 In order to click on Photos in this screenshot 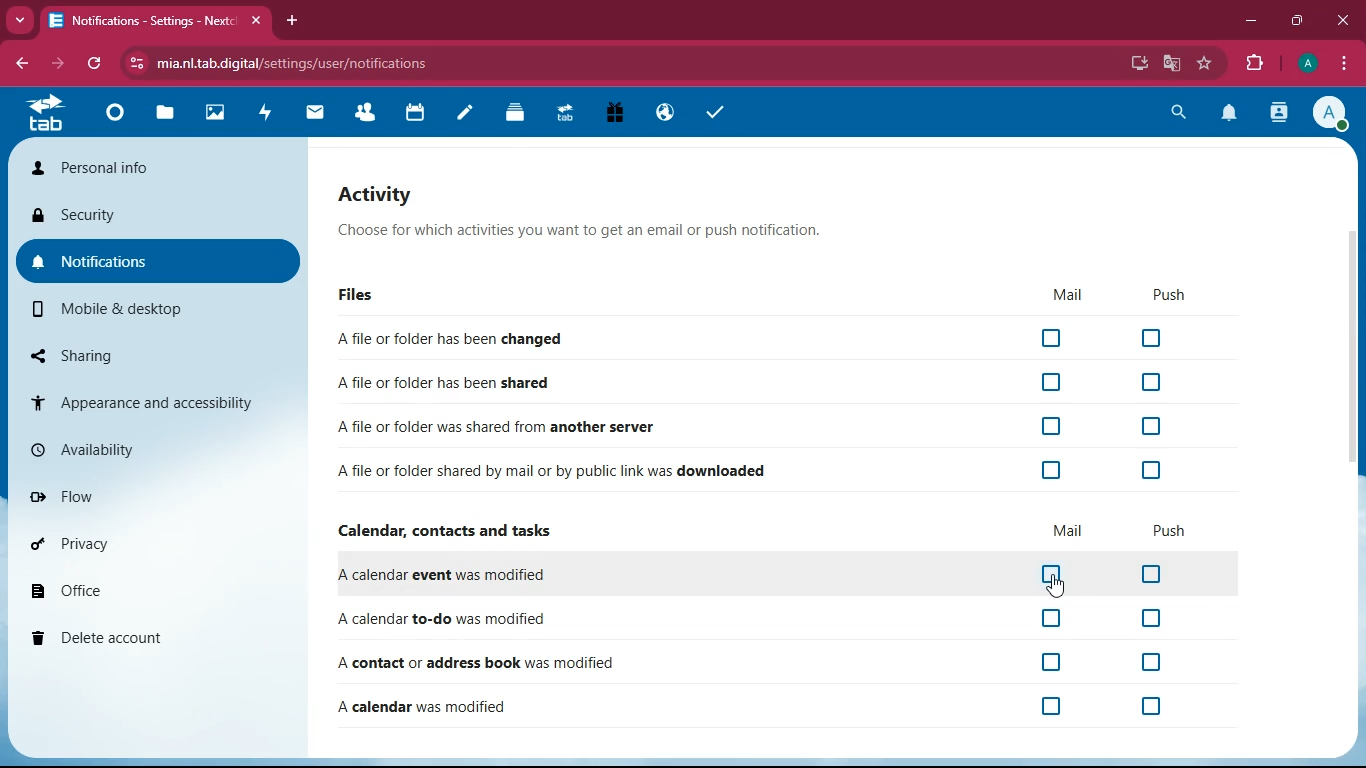, I will do `click(216, 114)`.